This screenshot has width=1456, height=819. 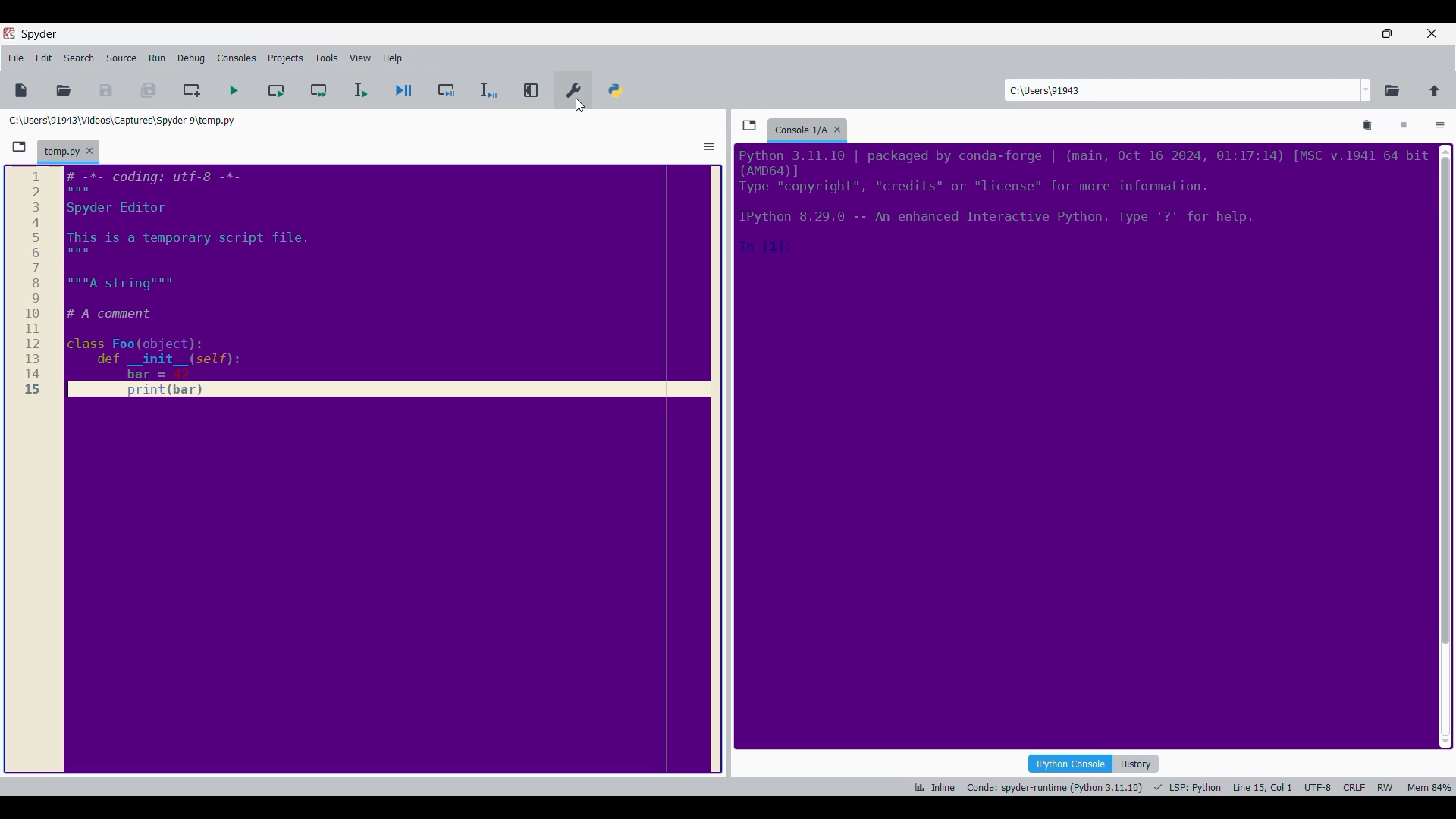 I want to click on Current tab, so click(x=61, y=152).